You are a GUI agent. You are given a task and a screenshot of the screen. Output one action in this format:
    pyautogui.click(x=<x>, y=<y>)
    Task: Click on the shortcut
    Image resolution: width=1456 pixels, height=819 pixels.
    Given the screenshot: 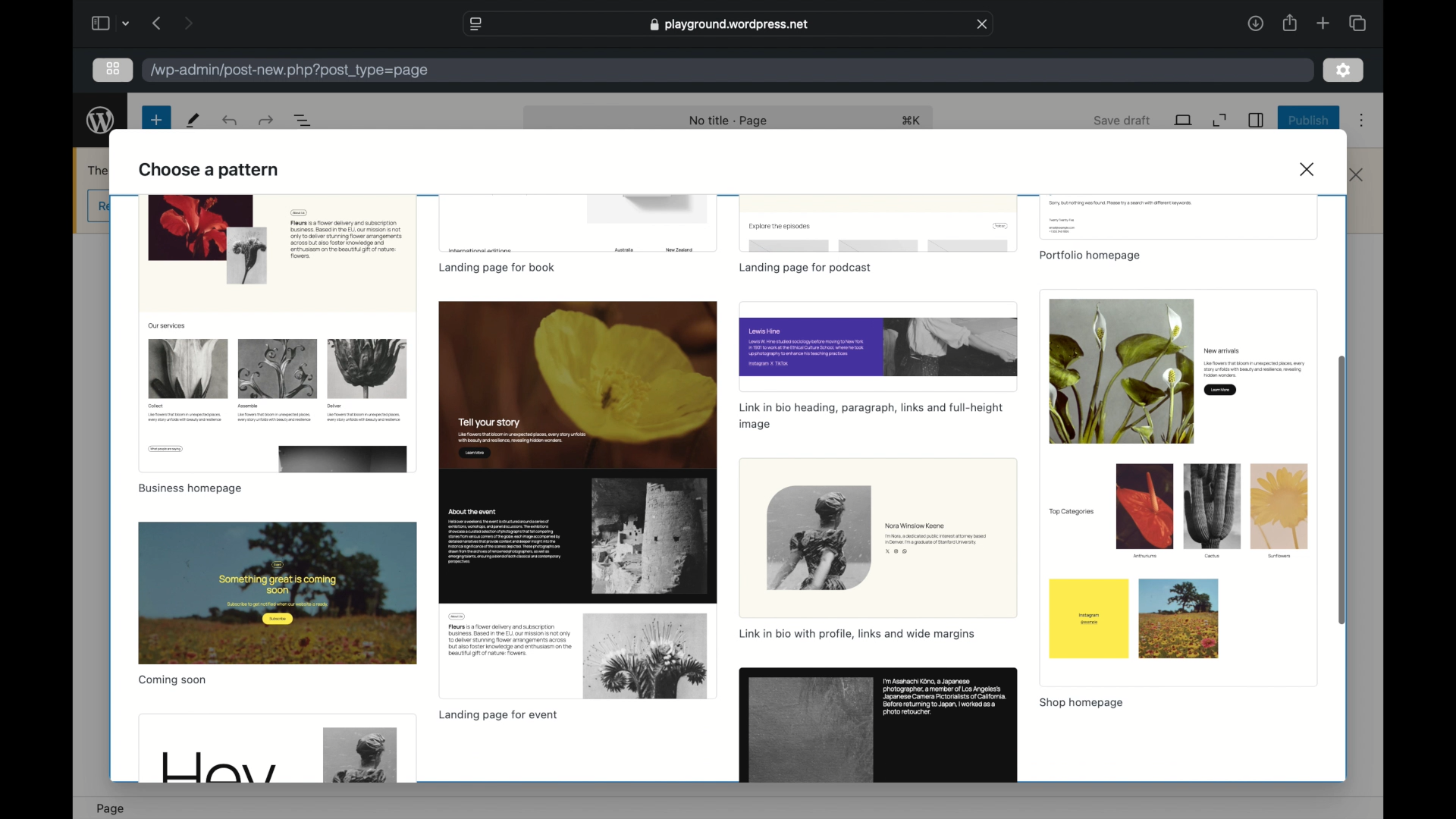 What is the action you would take?
    pyautogui.click(x=912, y=120)
    